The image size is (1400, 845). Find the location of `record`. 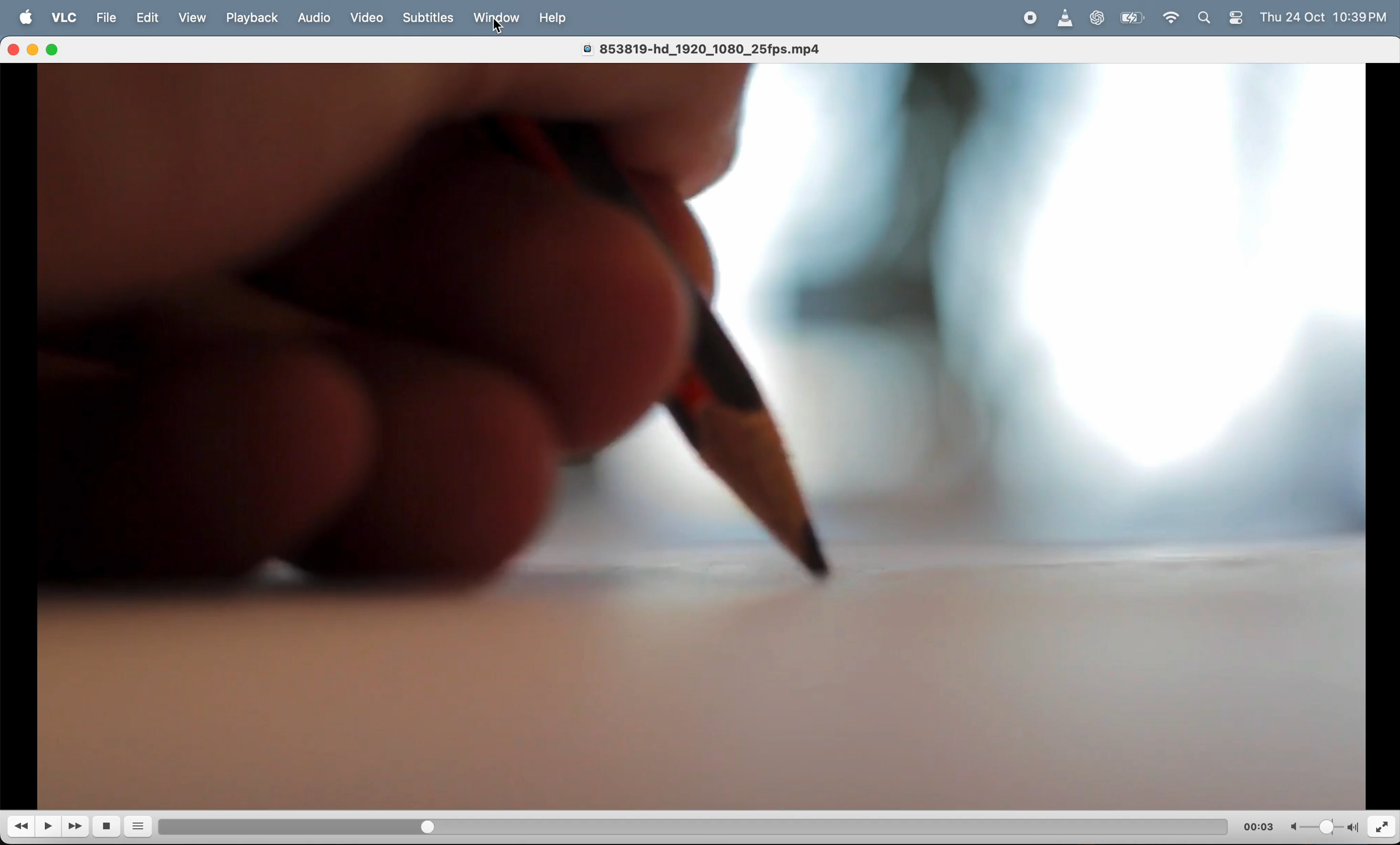

record is located at coordinates (1030, 18).